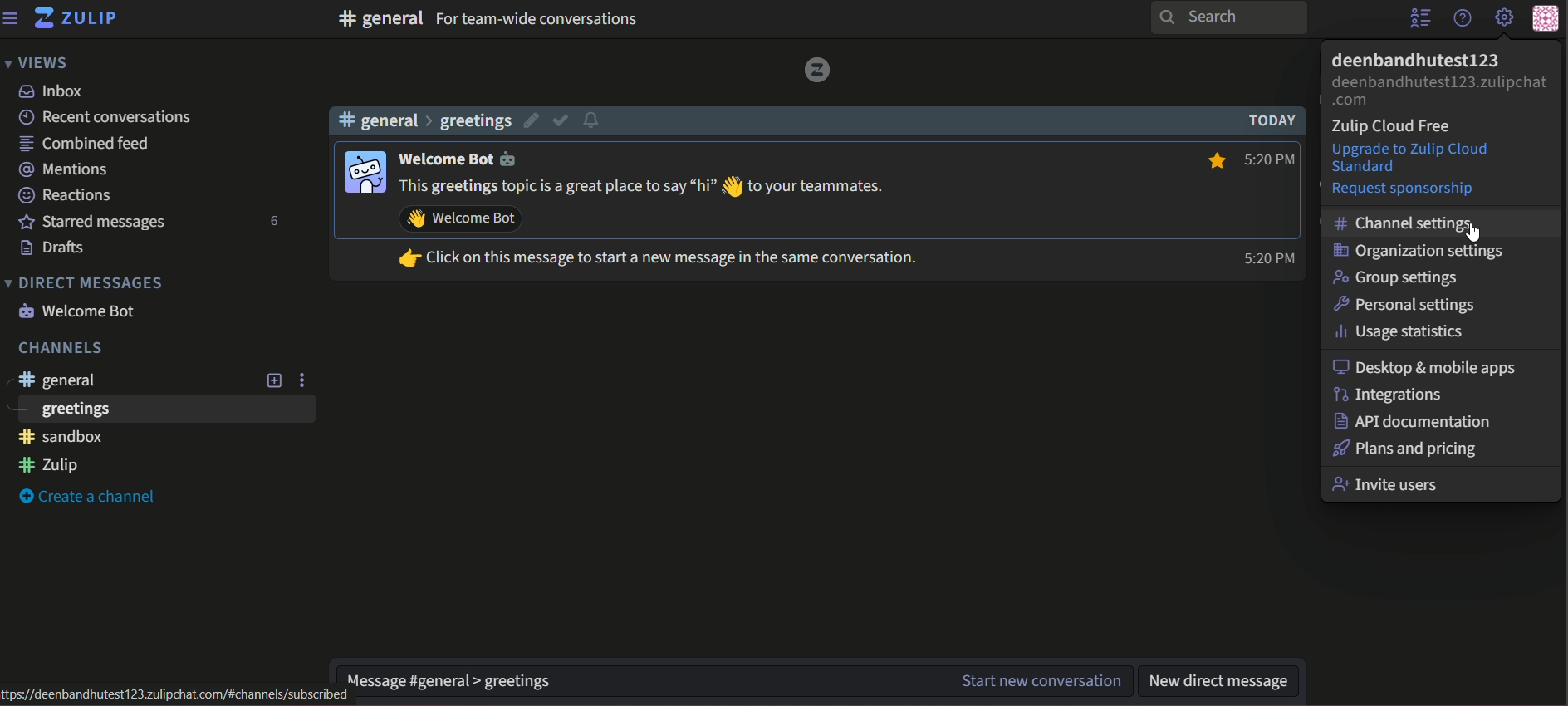  Describe the element at coordinates (467, 159) in the screenshot. I see `user name` at that location.